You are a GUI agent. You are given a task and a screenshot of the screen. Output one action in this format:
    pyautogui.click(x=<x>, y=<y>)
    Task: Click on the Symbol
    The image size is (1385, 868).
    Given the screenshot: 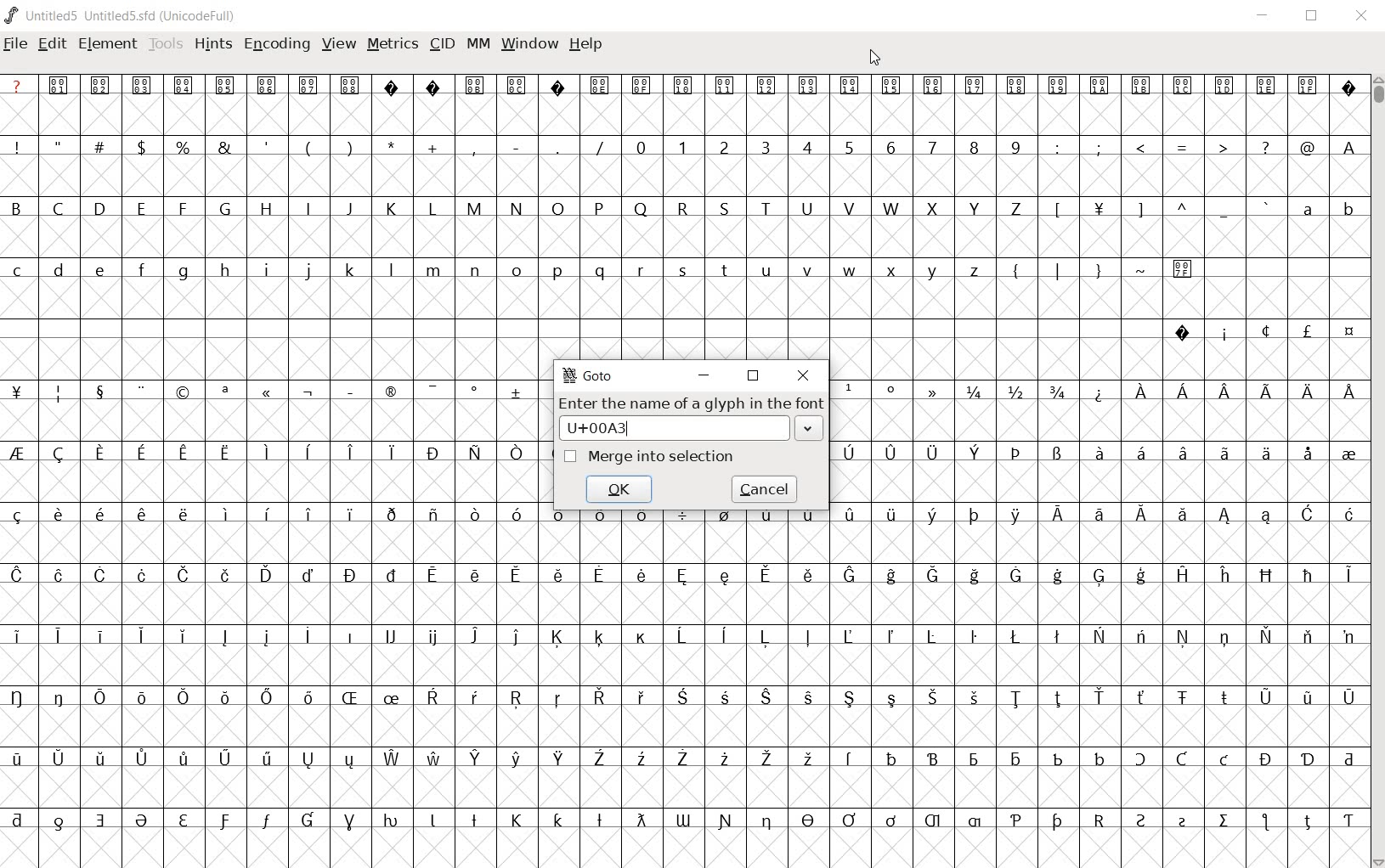 What is the action you would take?
    pyautogui.click(x=725, y=636)
    